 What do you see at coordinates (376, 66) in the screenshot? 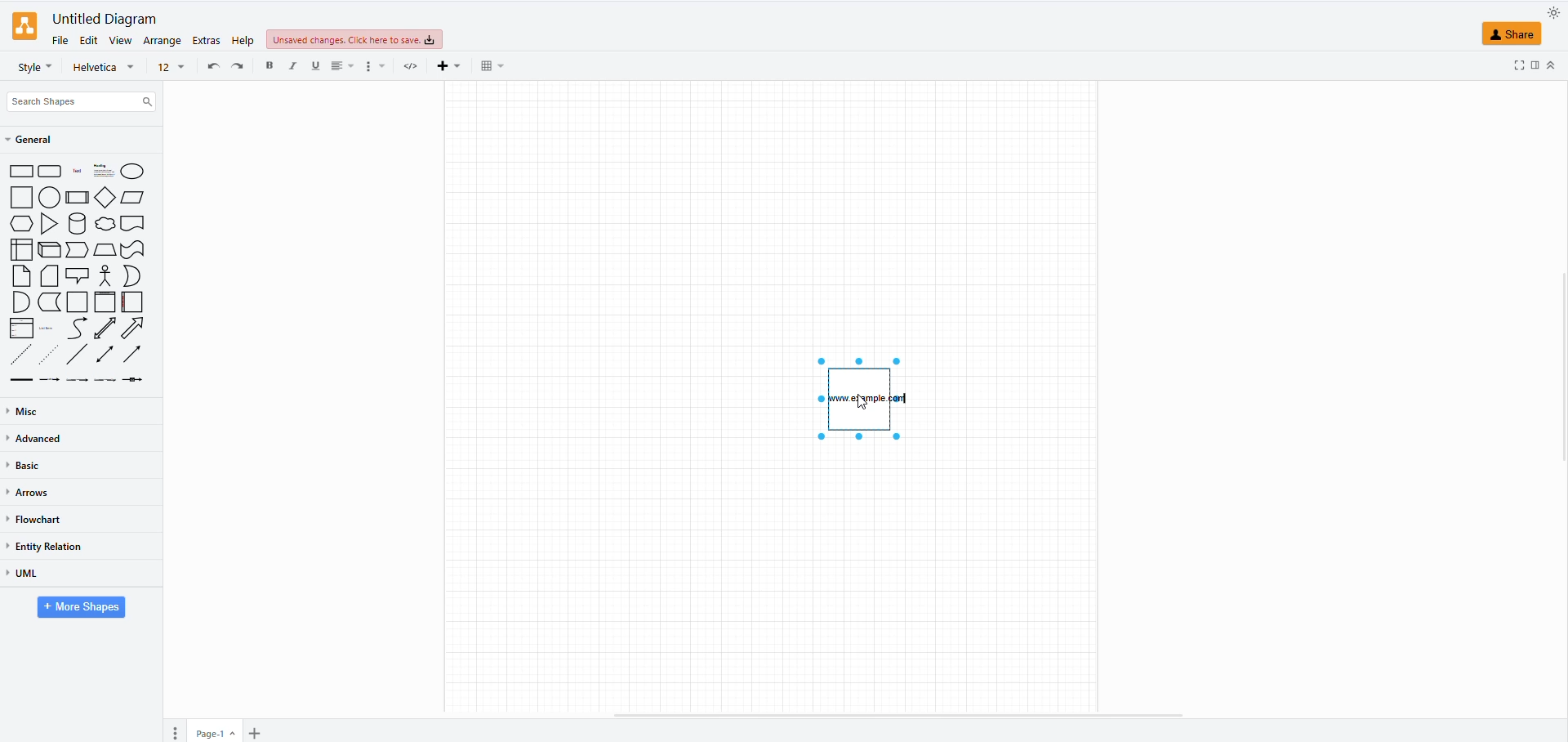
I see `more options` at bounding box center [376, 66].